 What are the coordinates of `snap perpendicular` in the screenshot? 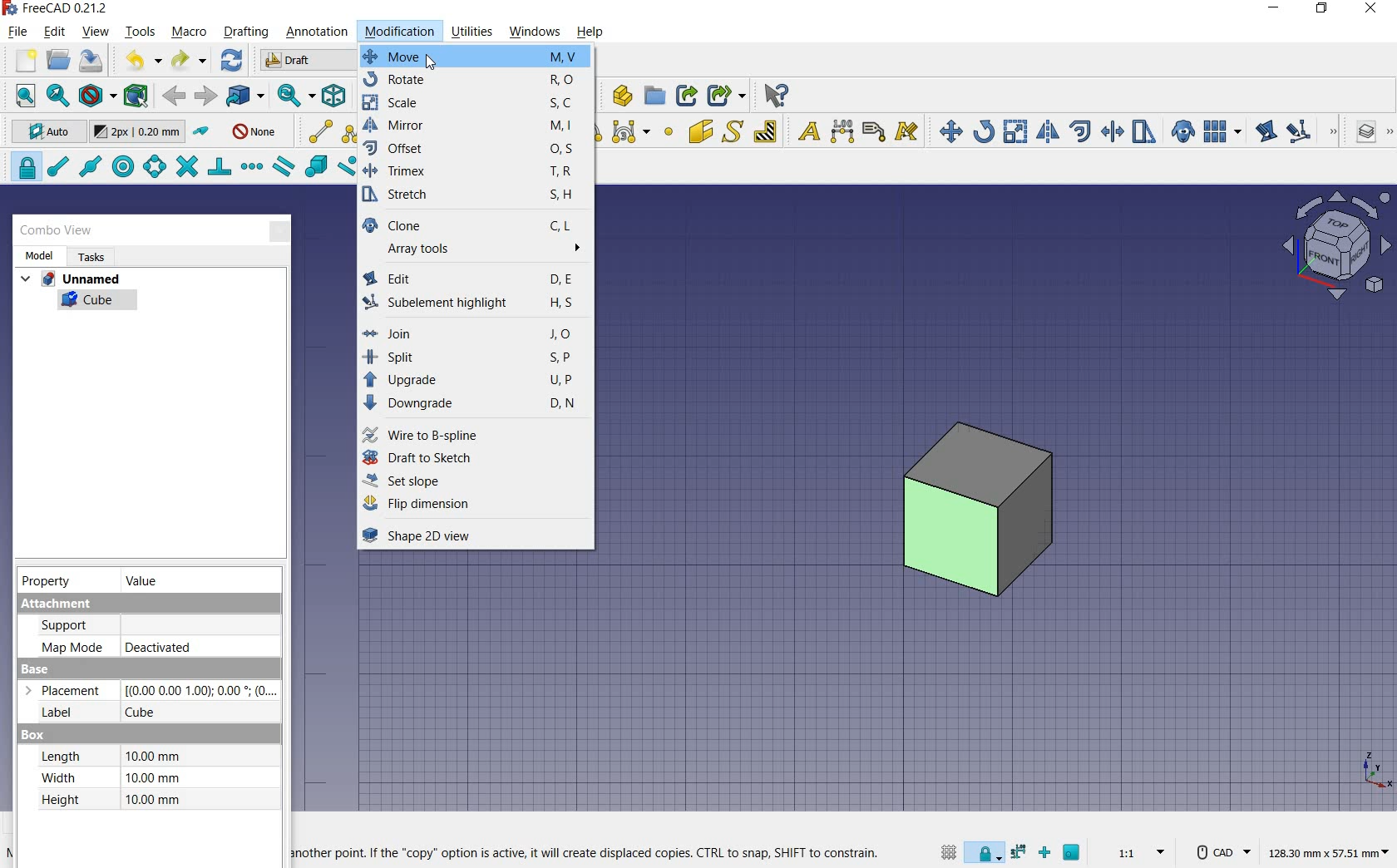 It's located at (220, 167).